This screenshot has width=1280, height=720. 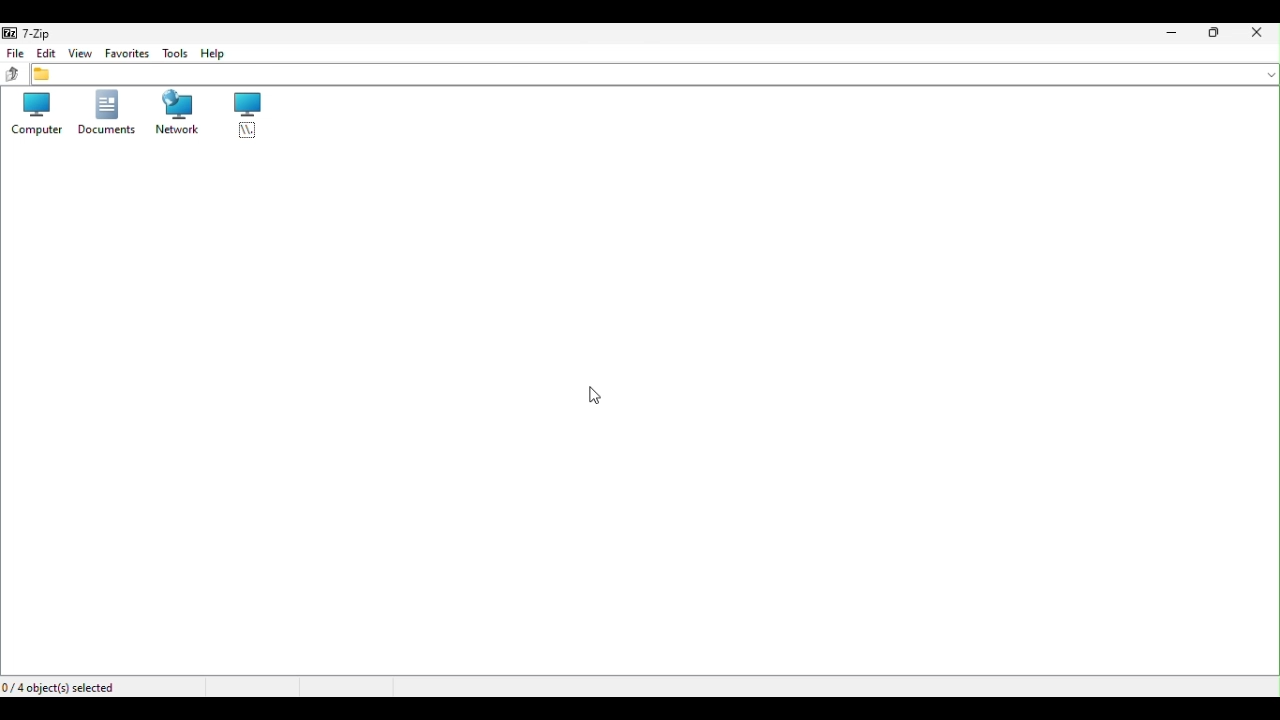 I want to click on Documents, so click(x=107, y=112).